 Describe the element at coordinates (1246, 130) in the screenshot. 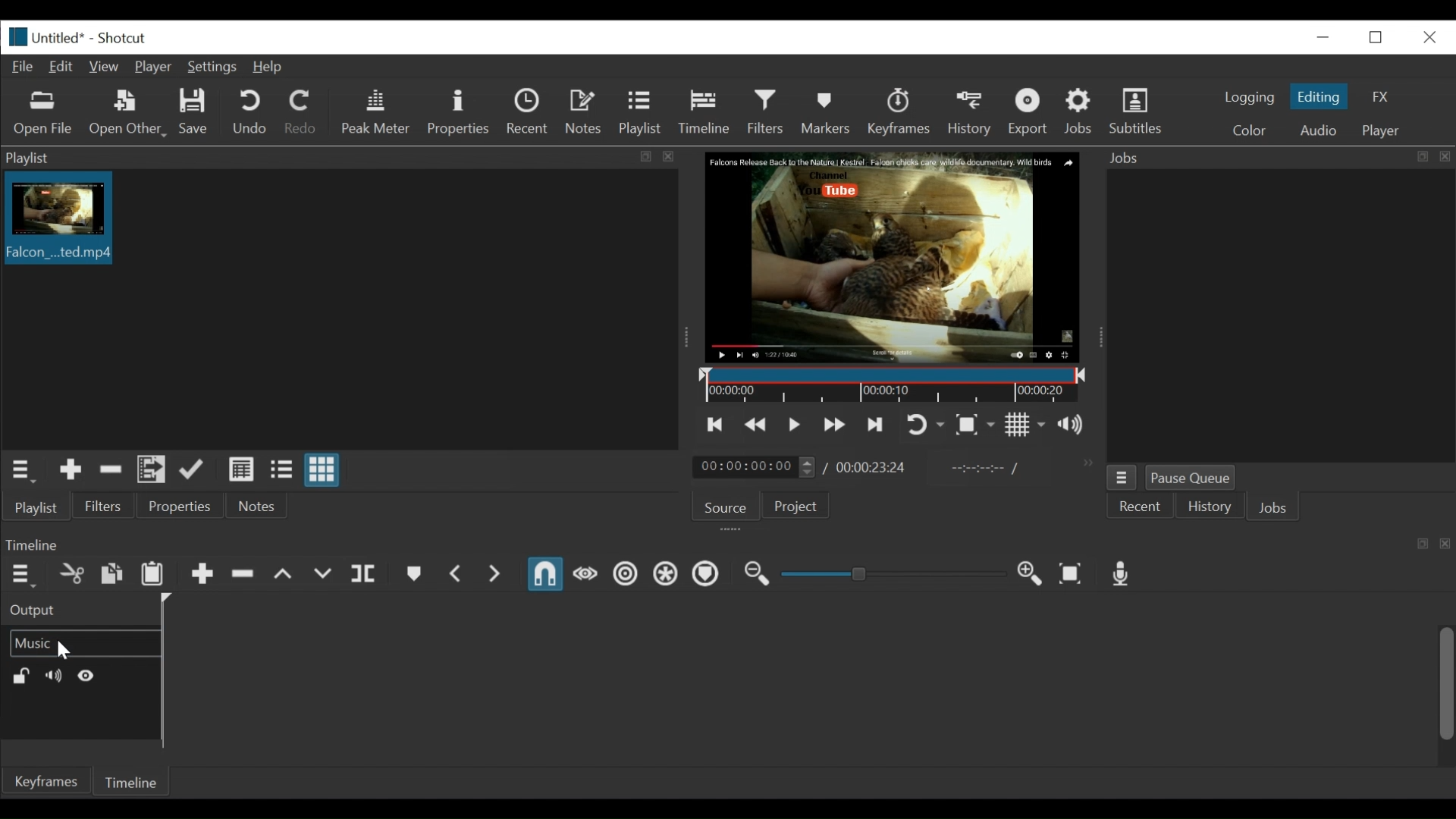

I see `Color` at that location.